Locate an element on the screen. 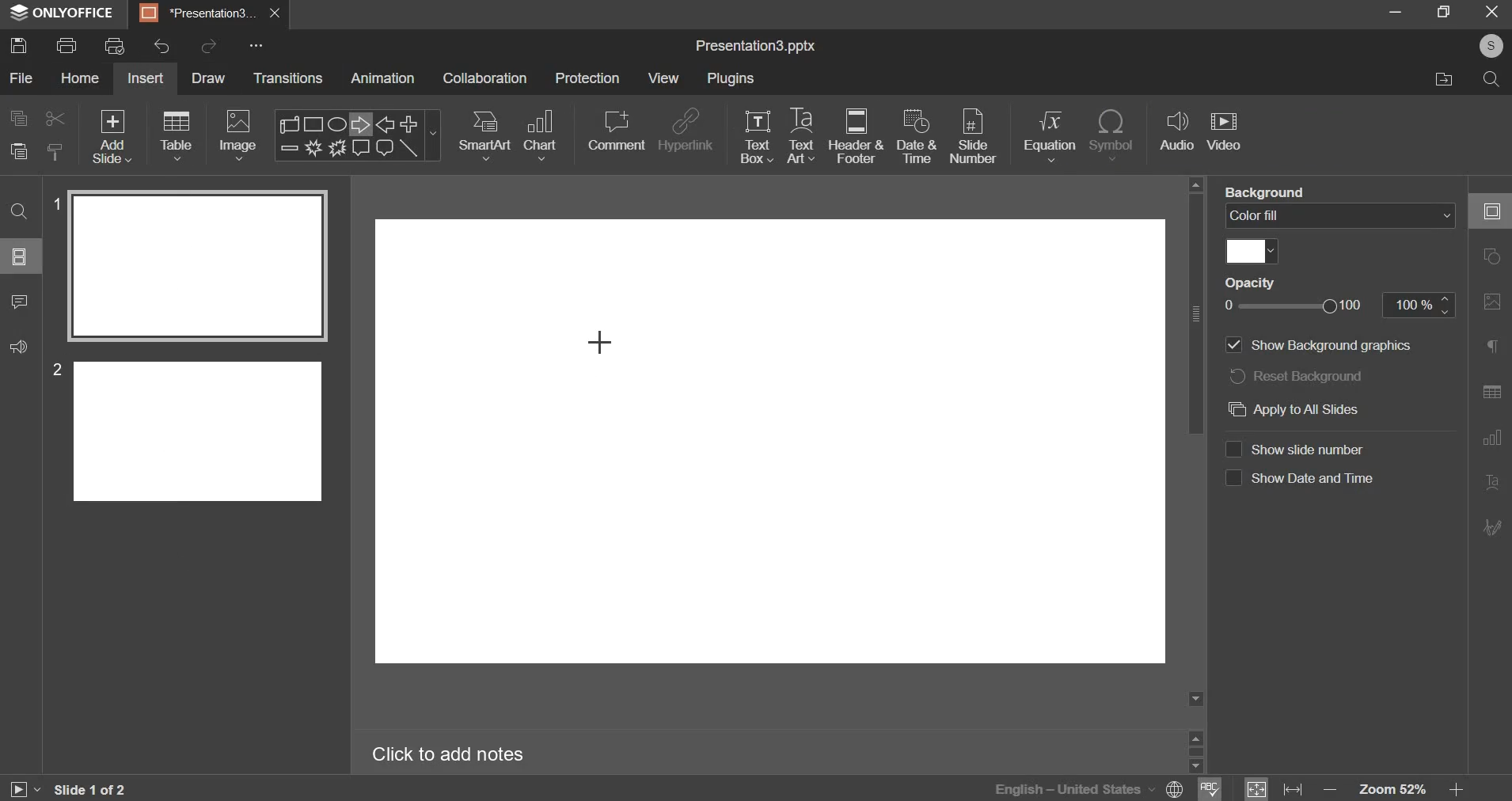  exit is located at coordinates (1494, 12).